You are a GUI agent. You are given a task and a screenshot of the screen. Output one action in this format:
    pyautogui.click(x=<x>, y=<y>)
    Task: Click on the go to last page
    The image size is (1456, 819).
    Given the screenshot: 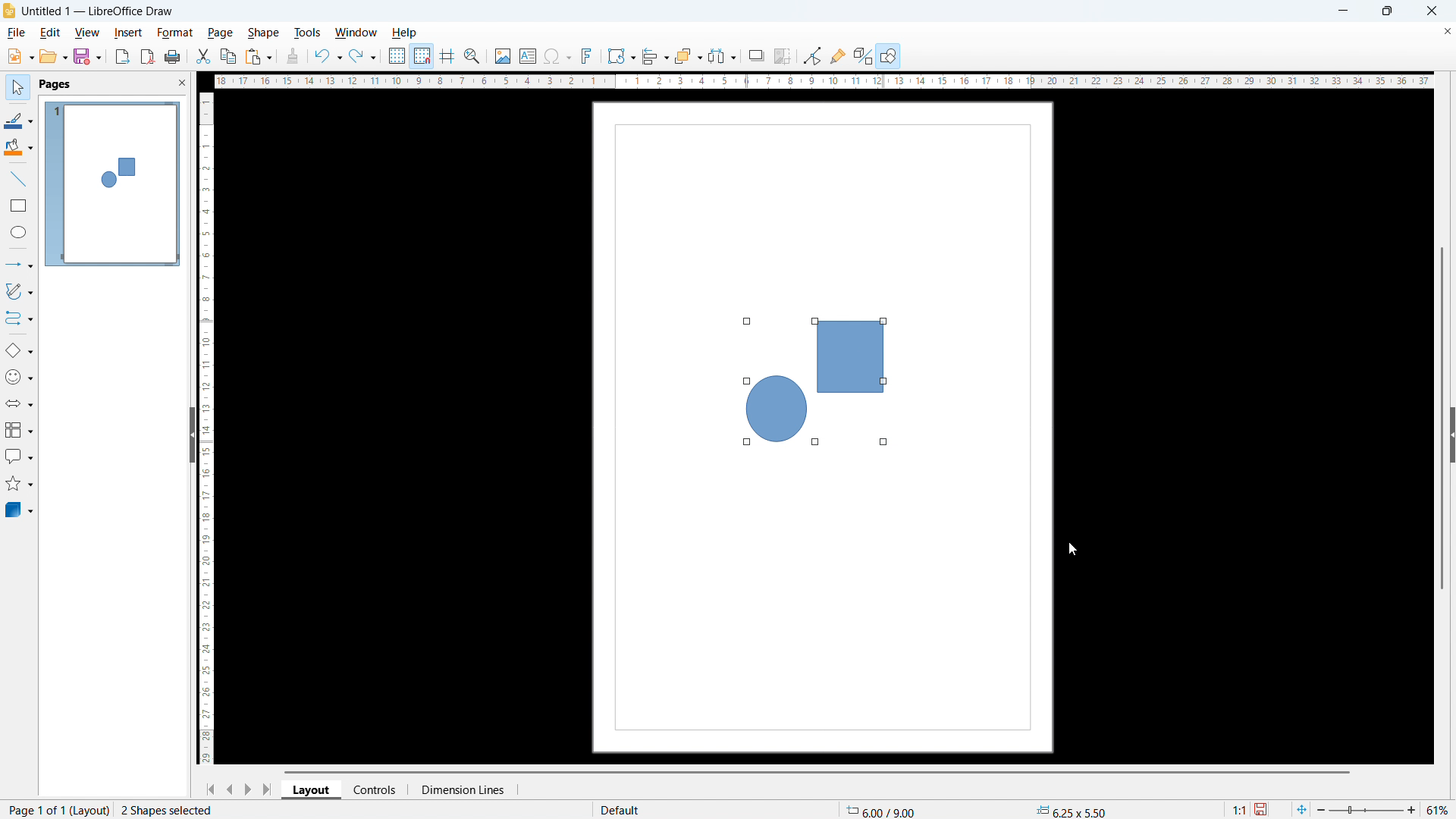 What is the action you would take?
    pyautogui.click(x=270, y=790)
    